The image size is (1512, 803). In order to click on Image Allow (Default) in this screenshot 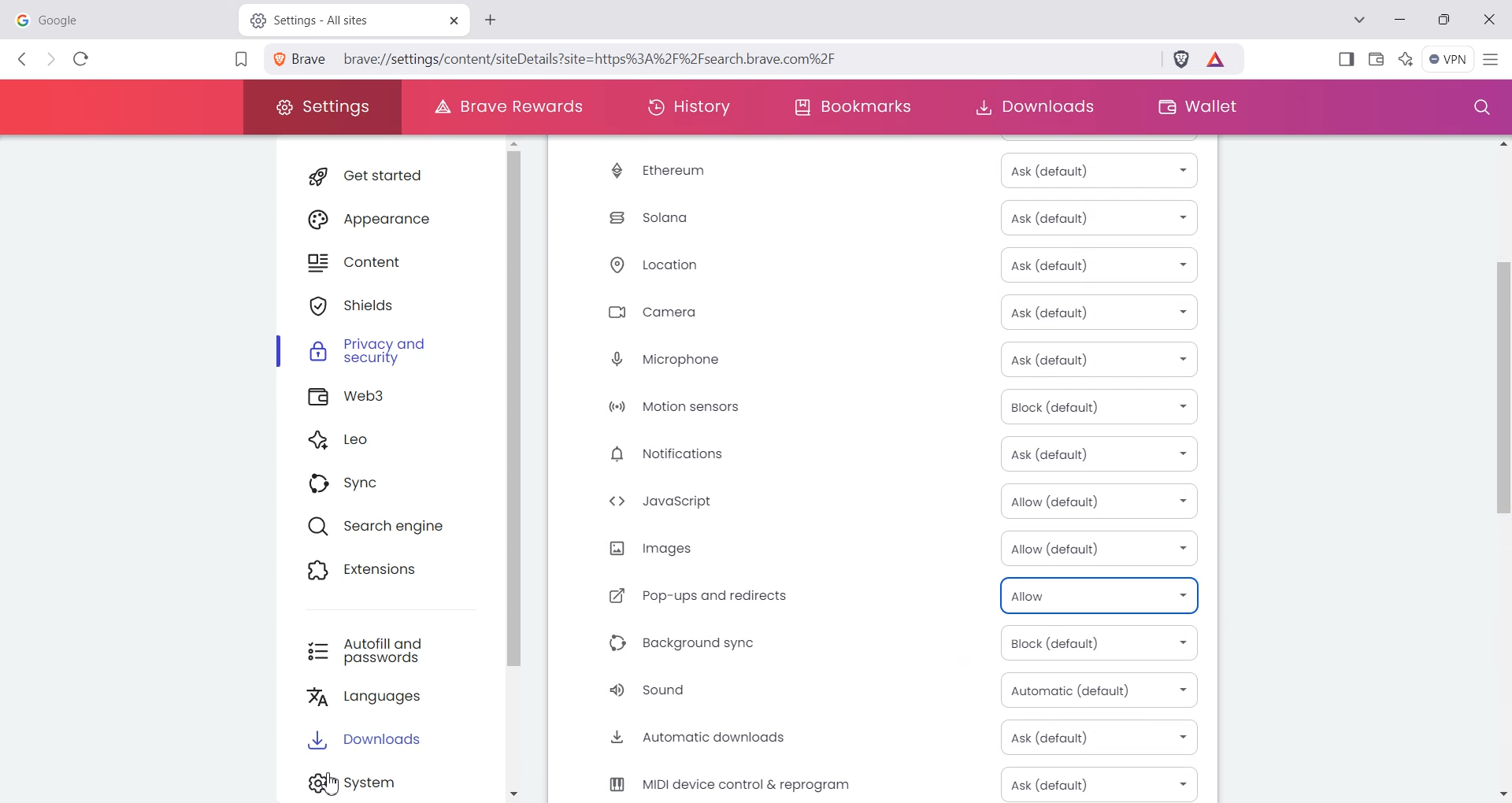, I will do `click(886, 549)`.